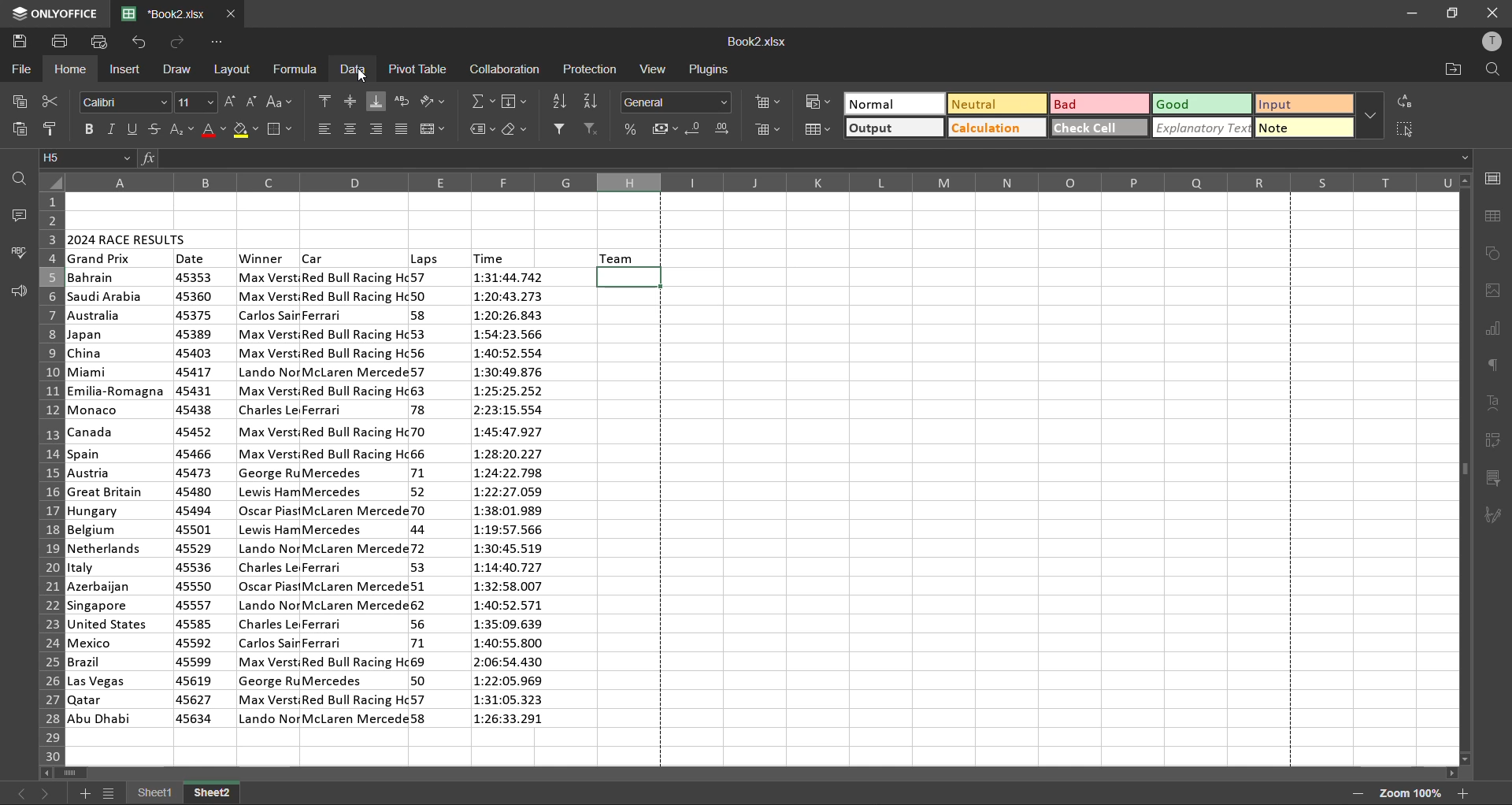 Image resolution: width=1512 pixels, height=805 pixels. What do you see at coordinates (561, 130) in the screenshot?
I see `filter` at bounding box center [561, 130].